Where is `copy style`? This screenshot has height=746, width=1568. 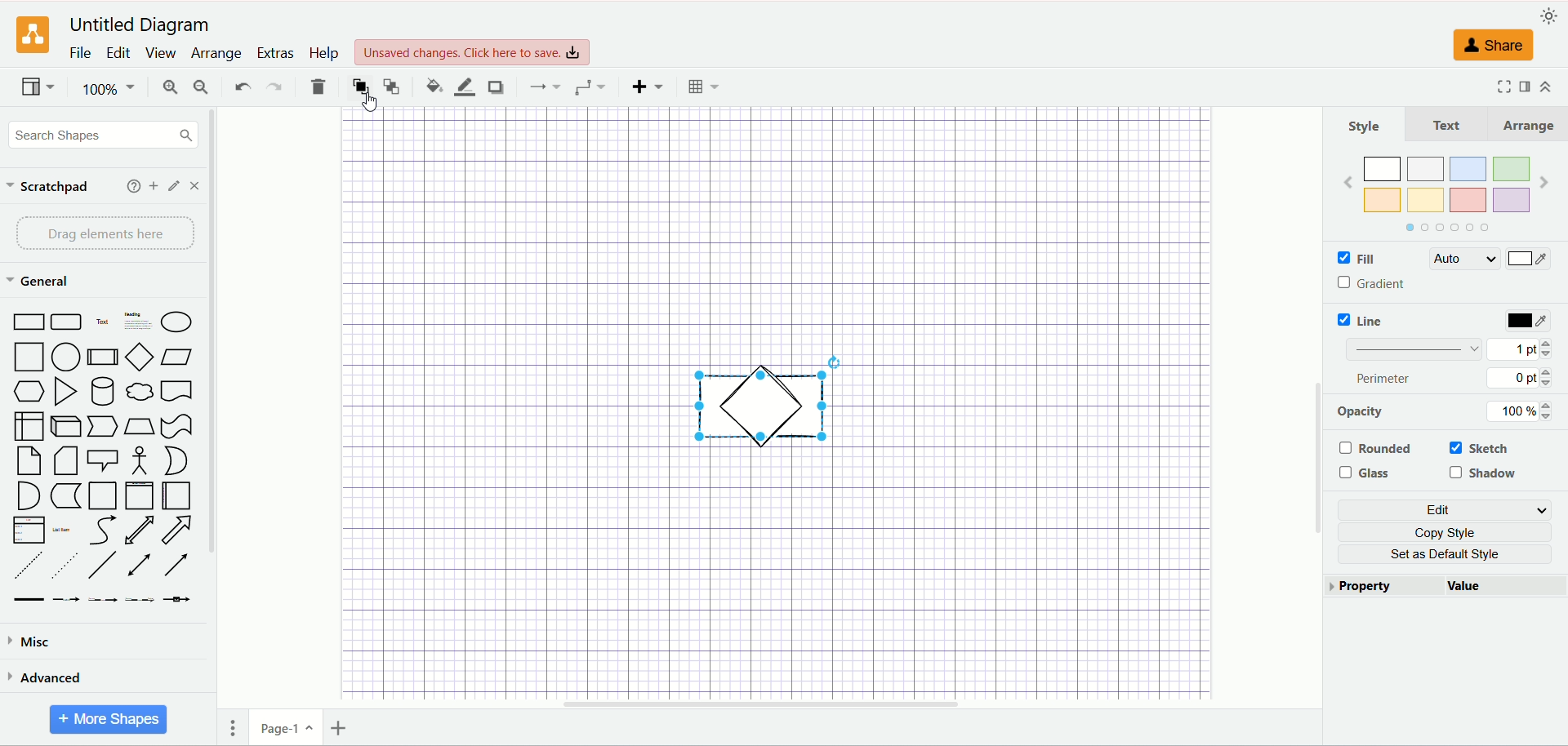 copy style is located at coordinates (1441, 532).